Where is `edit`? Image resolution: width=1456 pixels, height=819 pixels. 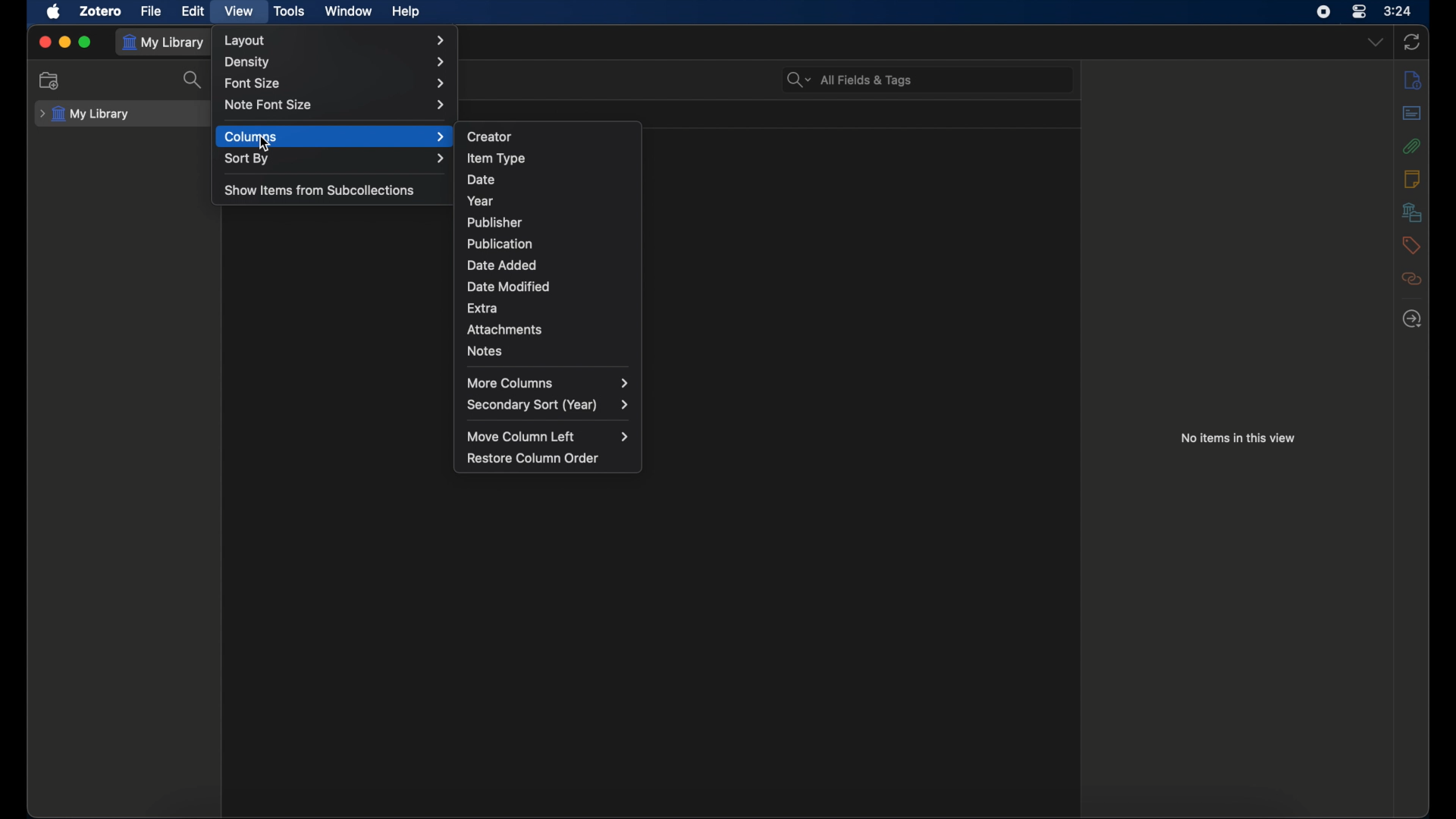
edit is located at coordinates (193, 11).